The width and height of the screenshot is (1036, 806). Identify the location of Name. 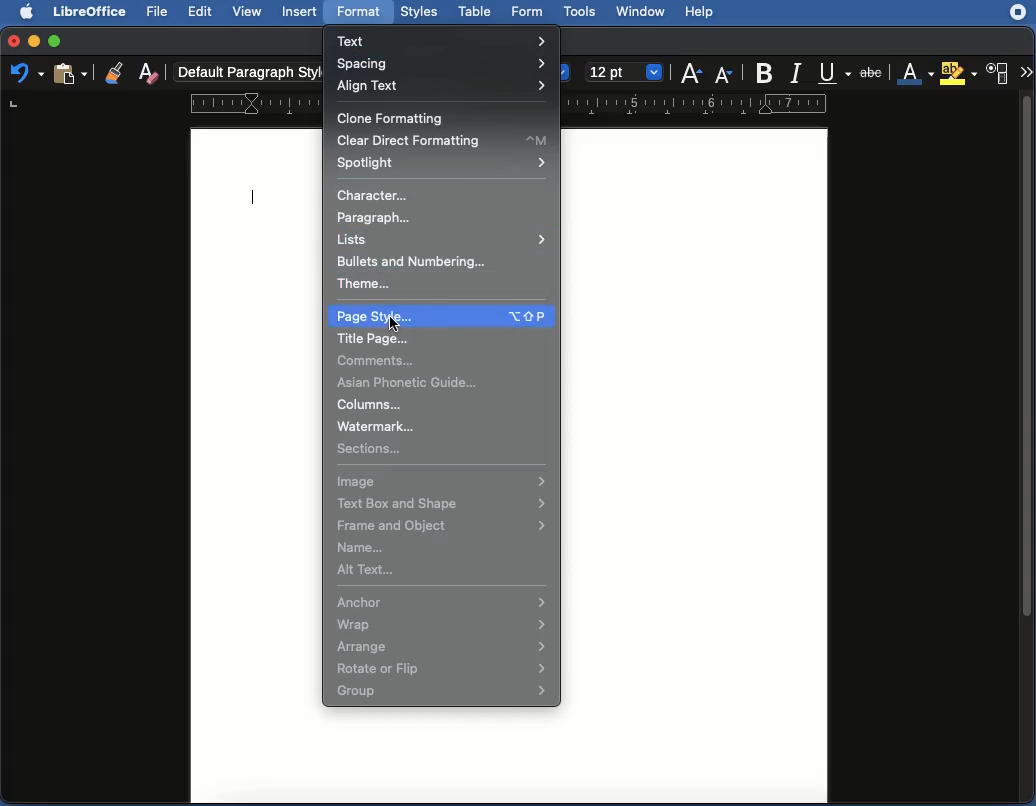
(364, 546).